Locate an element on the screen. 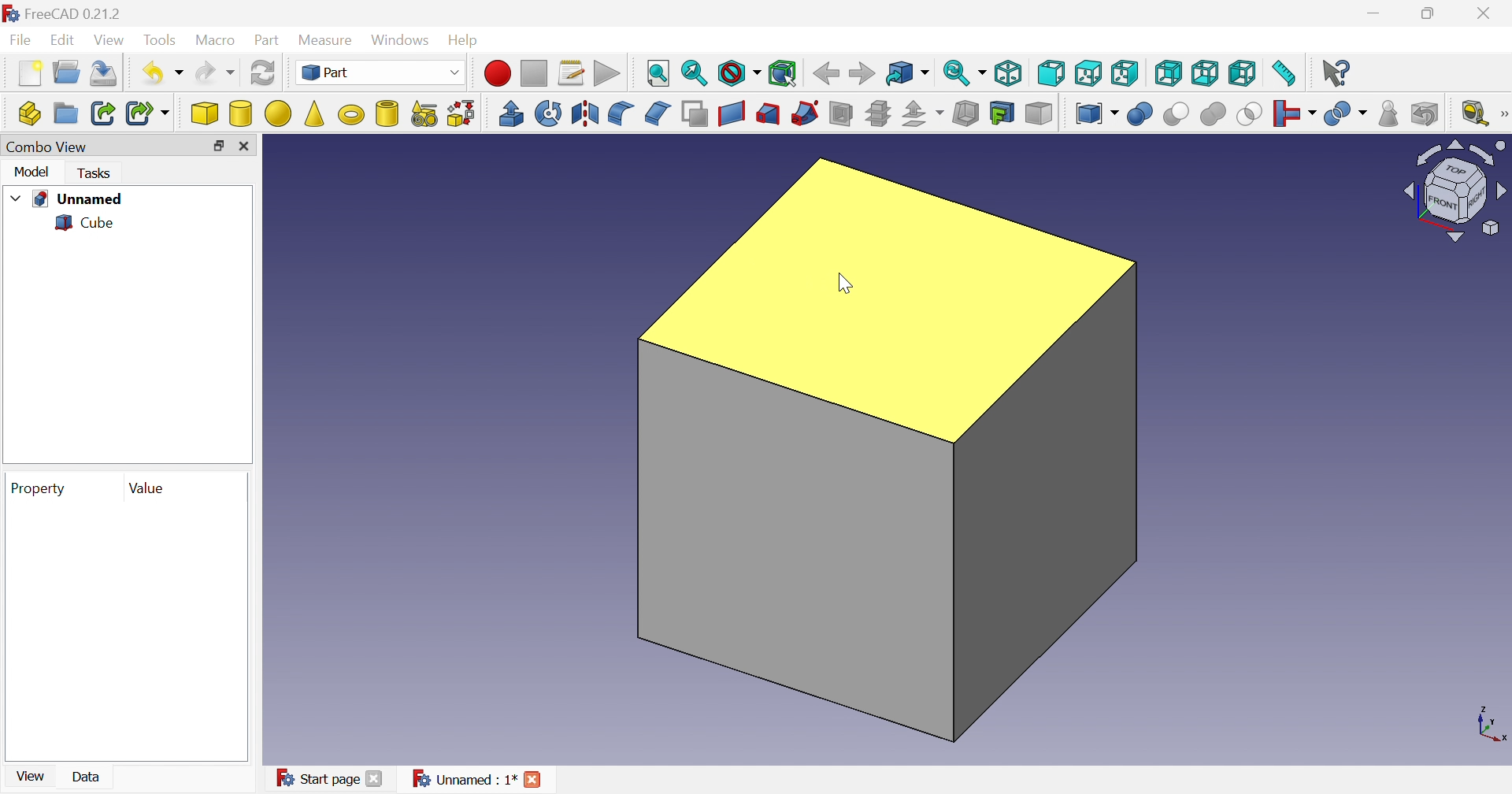 The width and height of the screenshot is (1512, 794). Execute macros is located at coordinates (607, 72).